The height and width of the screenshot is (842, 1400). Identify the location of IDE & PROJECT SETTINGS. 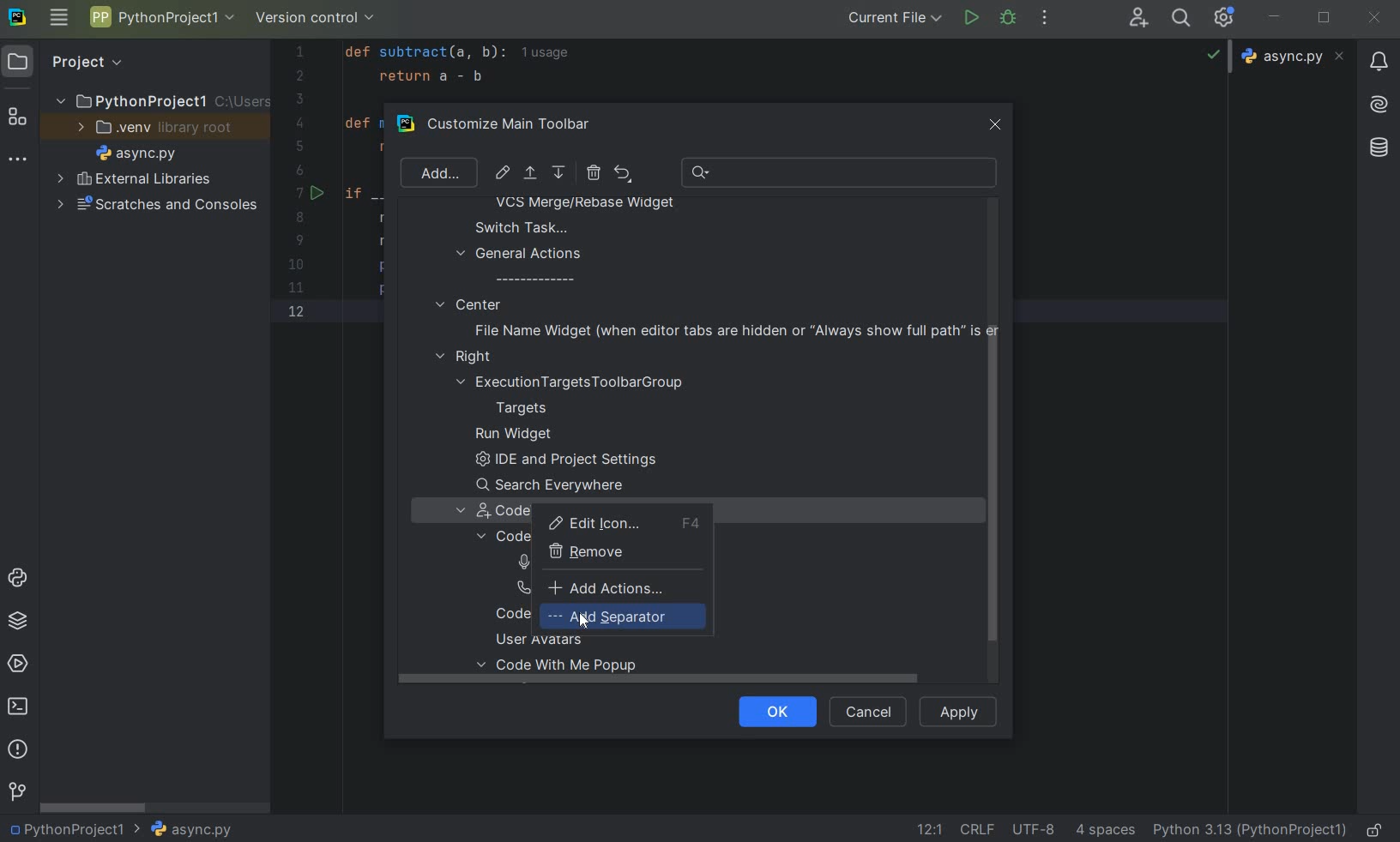
(1228, 19).